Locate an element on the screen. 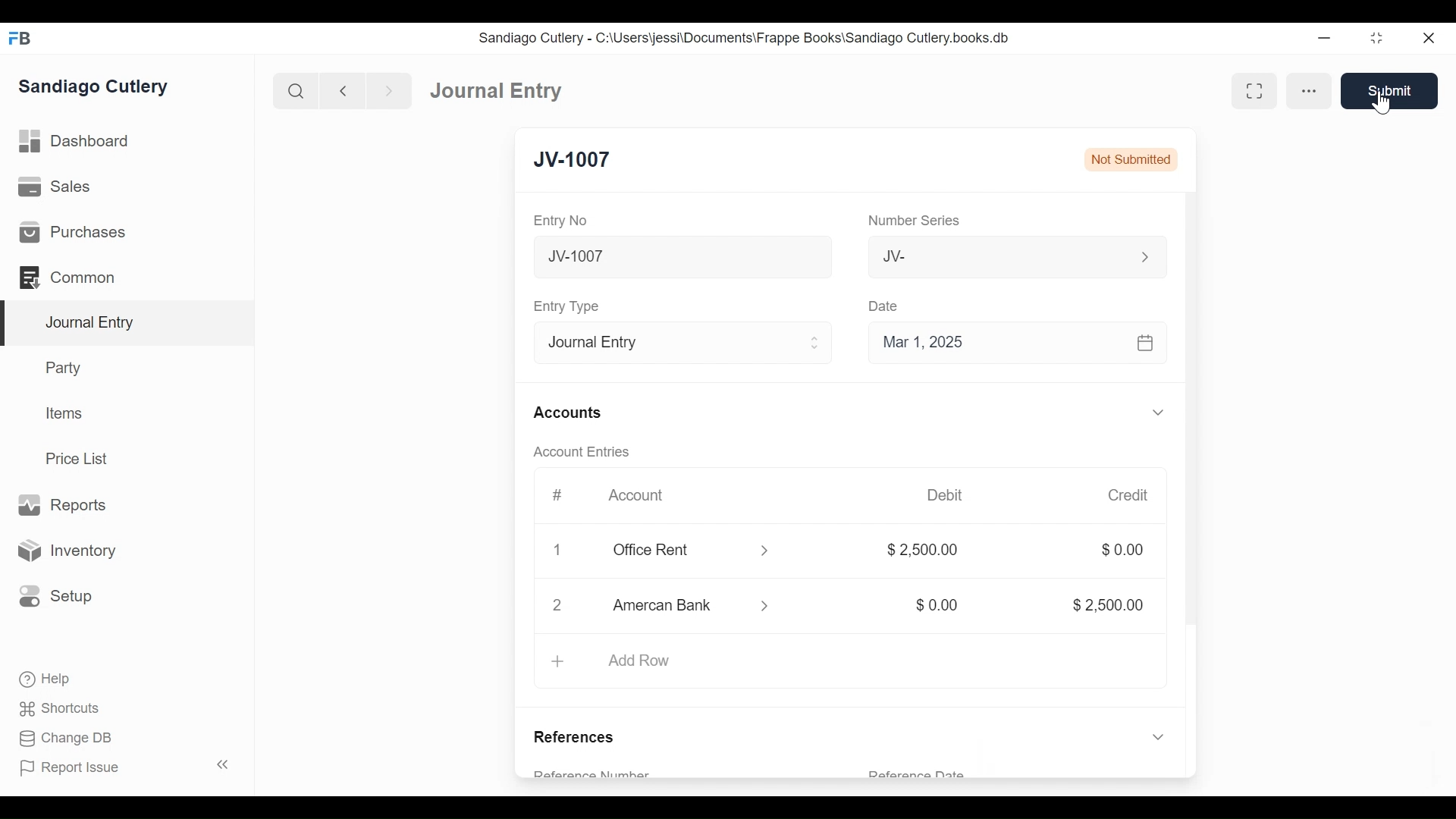  expand/collapse is located at coordinates (1154, 736).